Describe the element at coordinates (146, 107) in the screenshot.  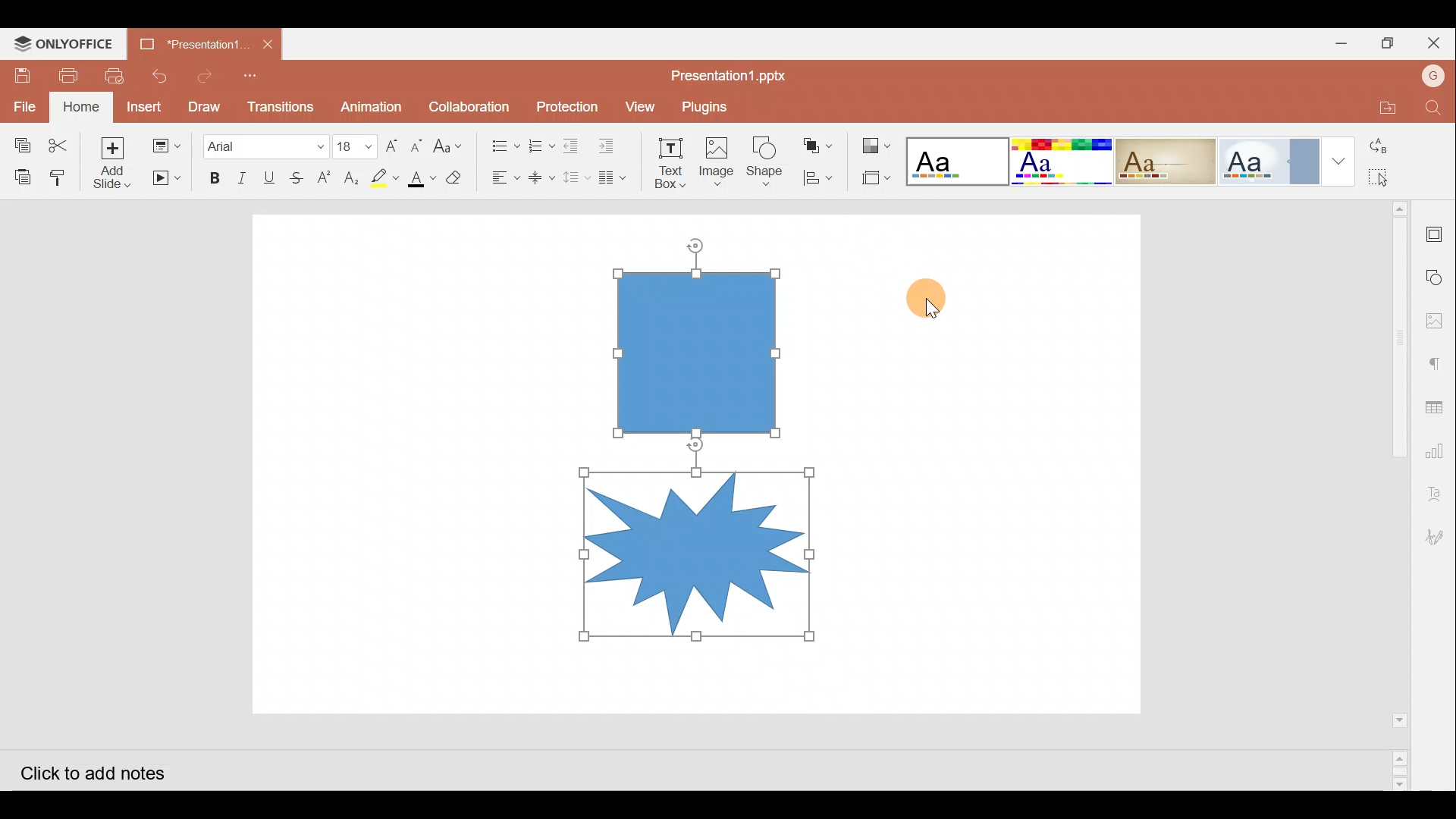
I see `Insert` at that location.